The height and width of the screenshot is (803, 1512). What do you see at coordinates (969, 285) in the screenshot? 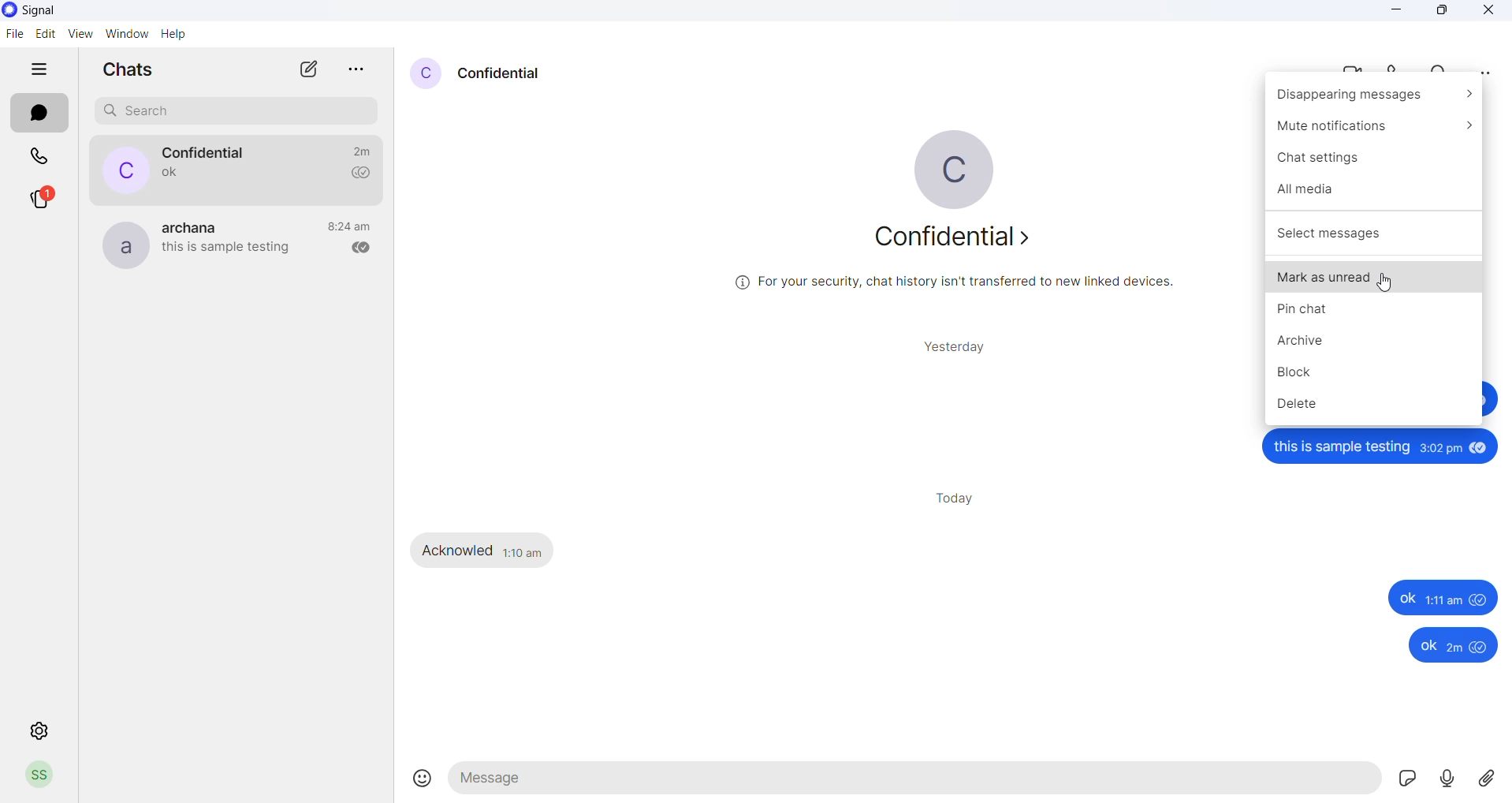
I see `security related information` at bounding box center [969, 285].